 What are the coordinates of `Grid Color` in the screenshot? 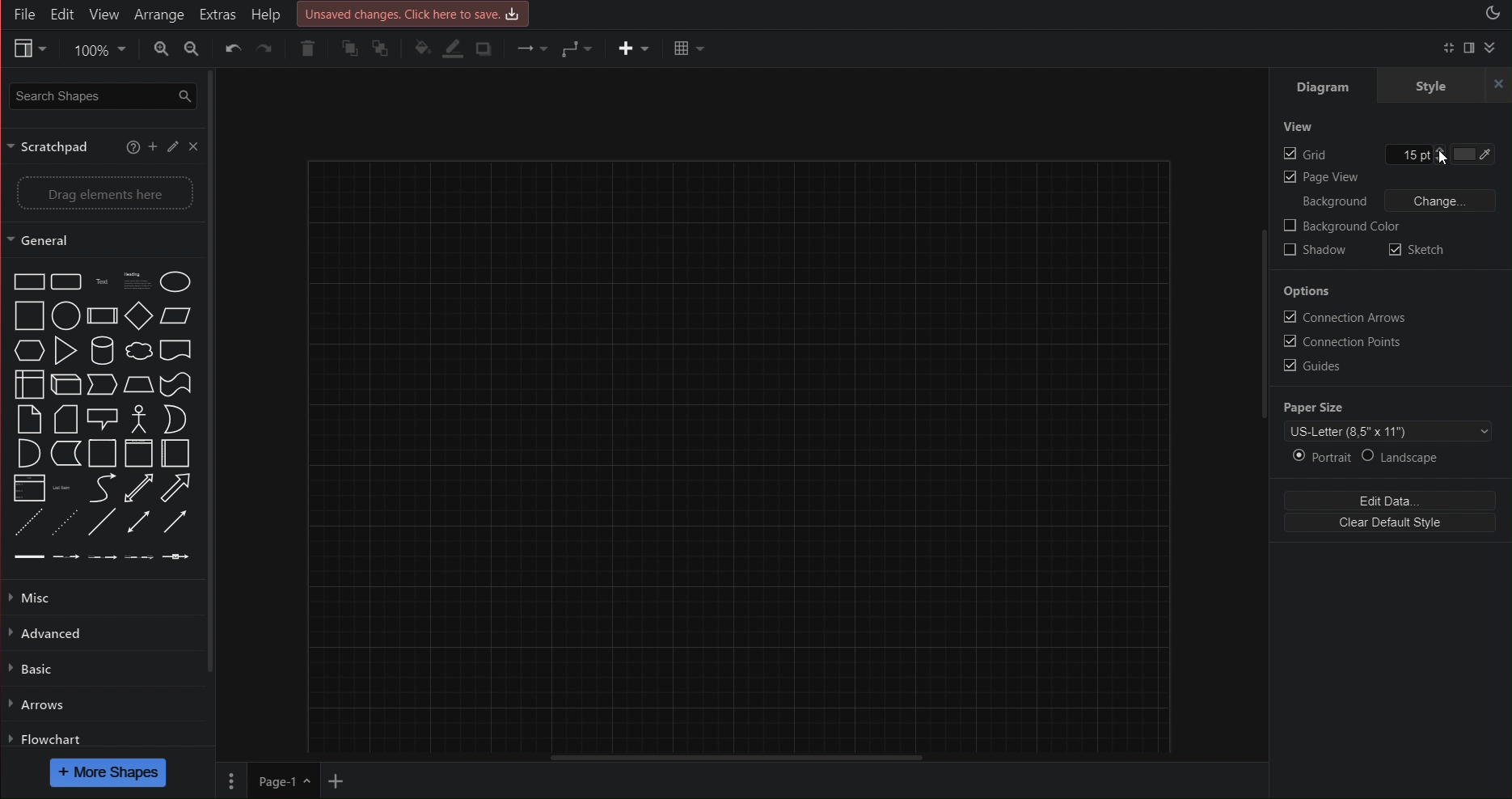 It's located at (1480, 155).